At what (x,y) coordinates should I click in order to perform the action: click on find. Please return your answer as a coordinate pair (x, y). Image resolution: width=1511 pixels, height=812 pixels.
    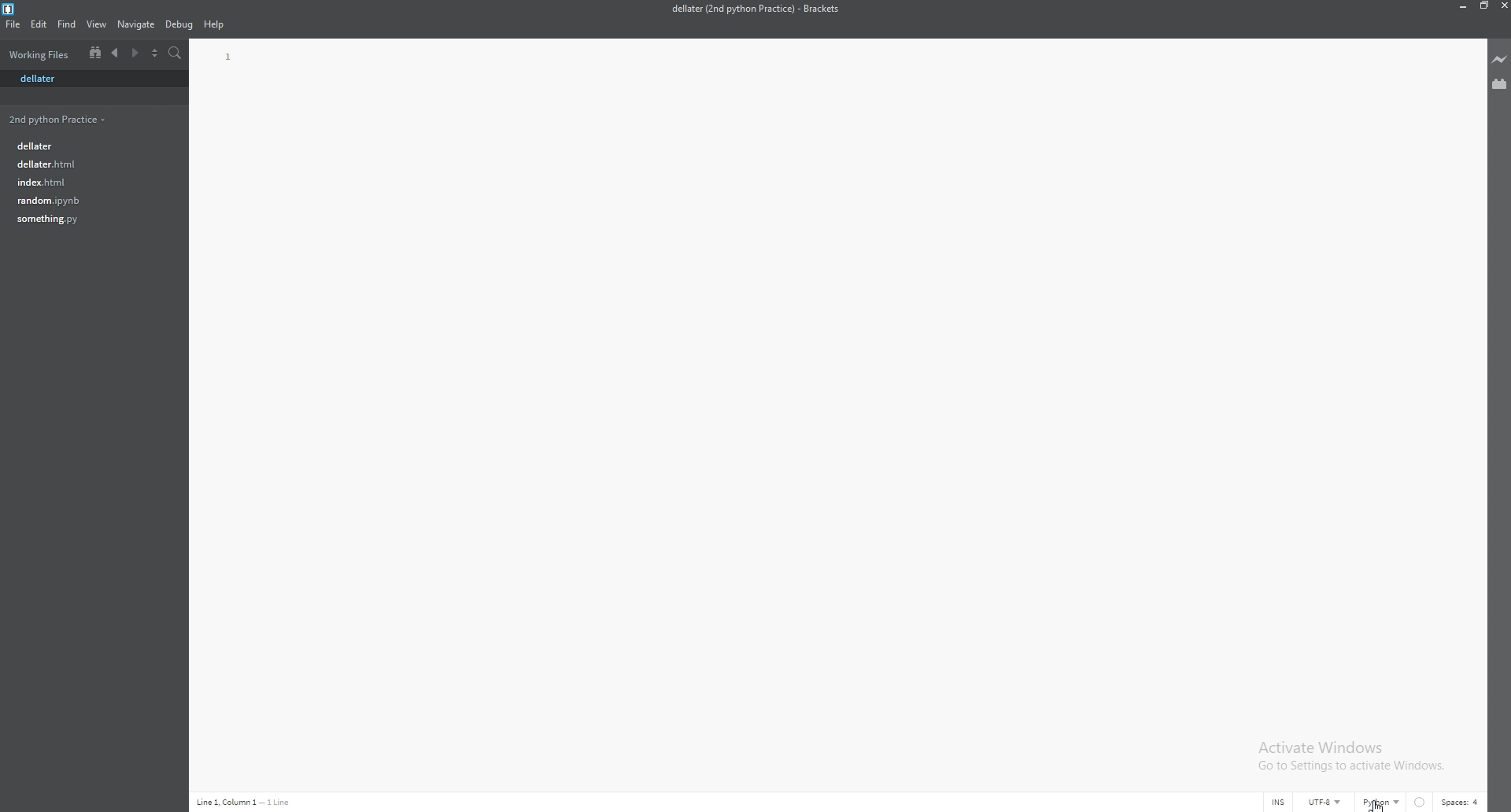
    Looking at the image, I should click on (68, 24).